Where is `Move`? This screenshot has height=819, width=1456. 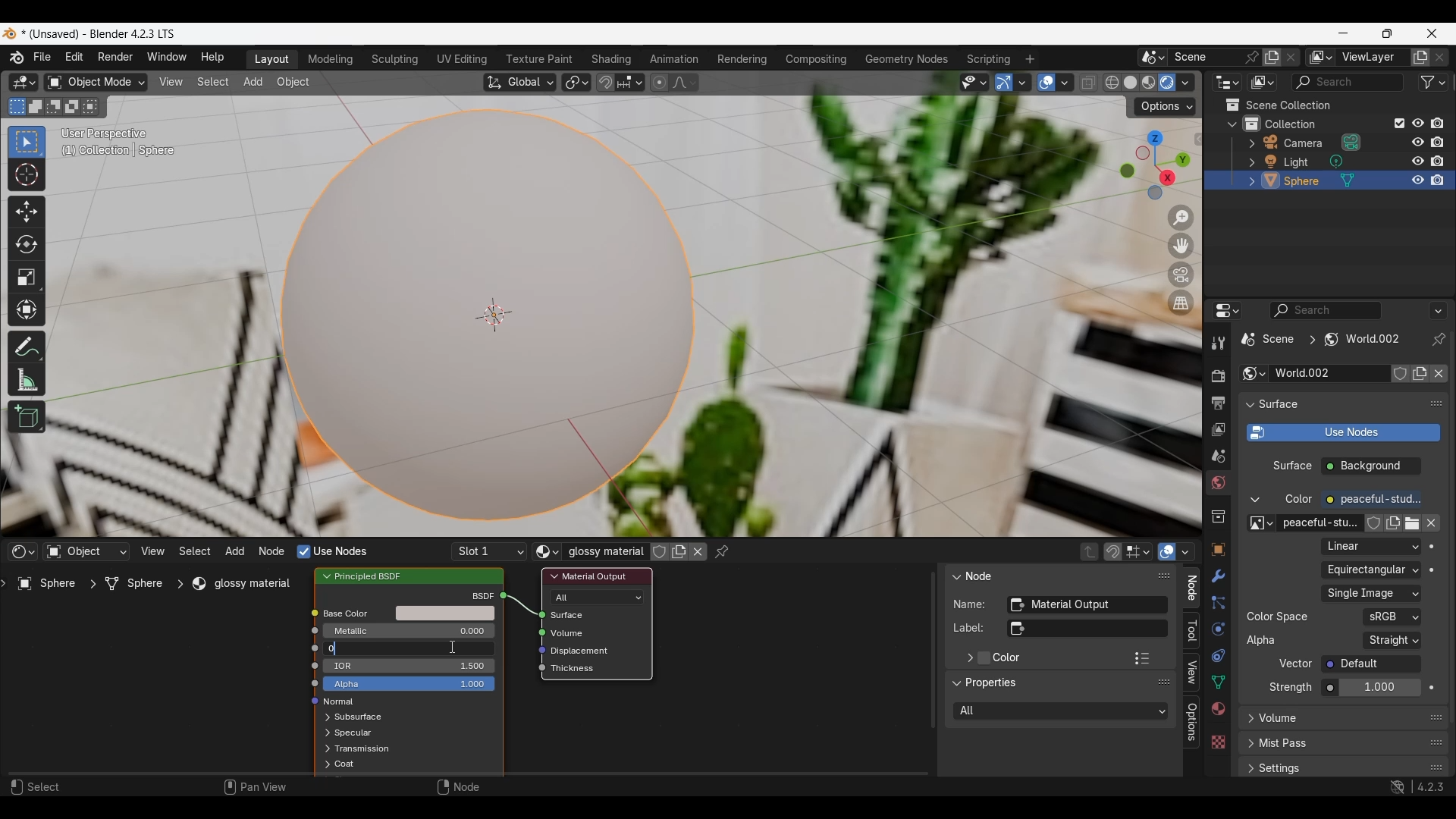 Move is located at coordinates (27, 212).